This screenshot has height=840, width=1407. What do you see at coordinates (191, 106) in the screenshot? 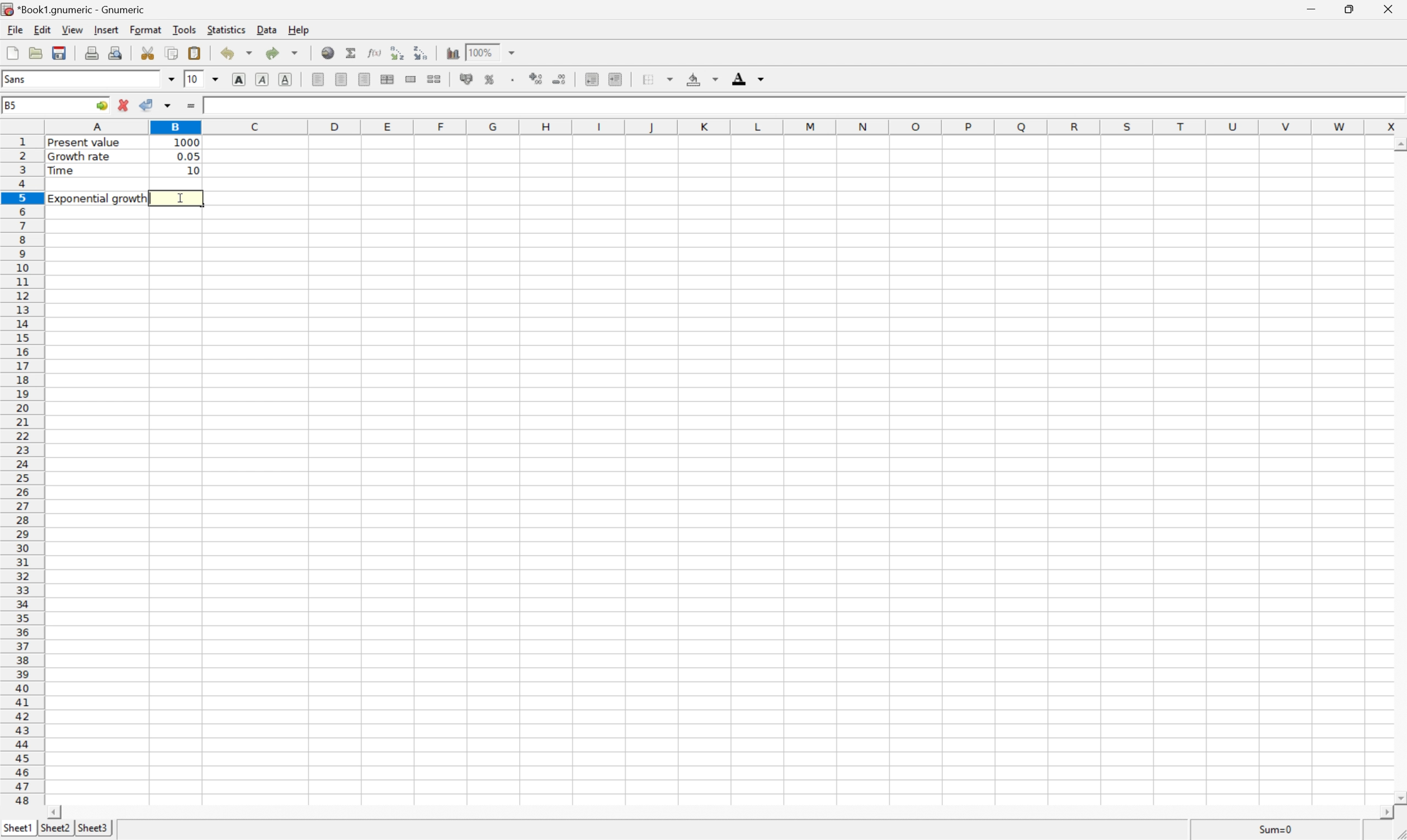
I see `Enter formula` at bounding box center [191, 106].